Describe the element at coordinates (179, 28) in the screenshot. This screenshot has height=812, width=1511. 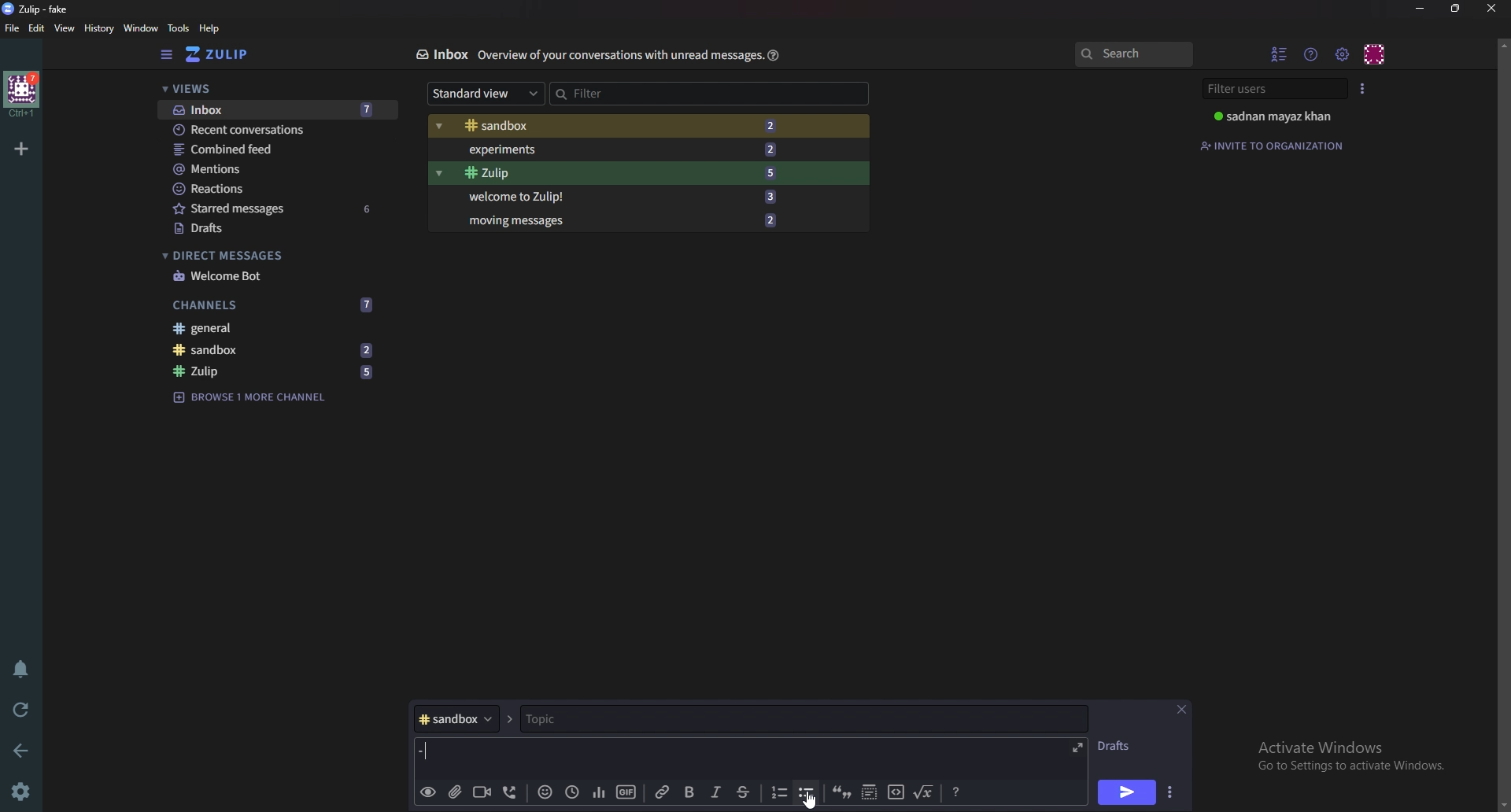
I see `Tools` at that location.